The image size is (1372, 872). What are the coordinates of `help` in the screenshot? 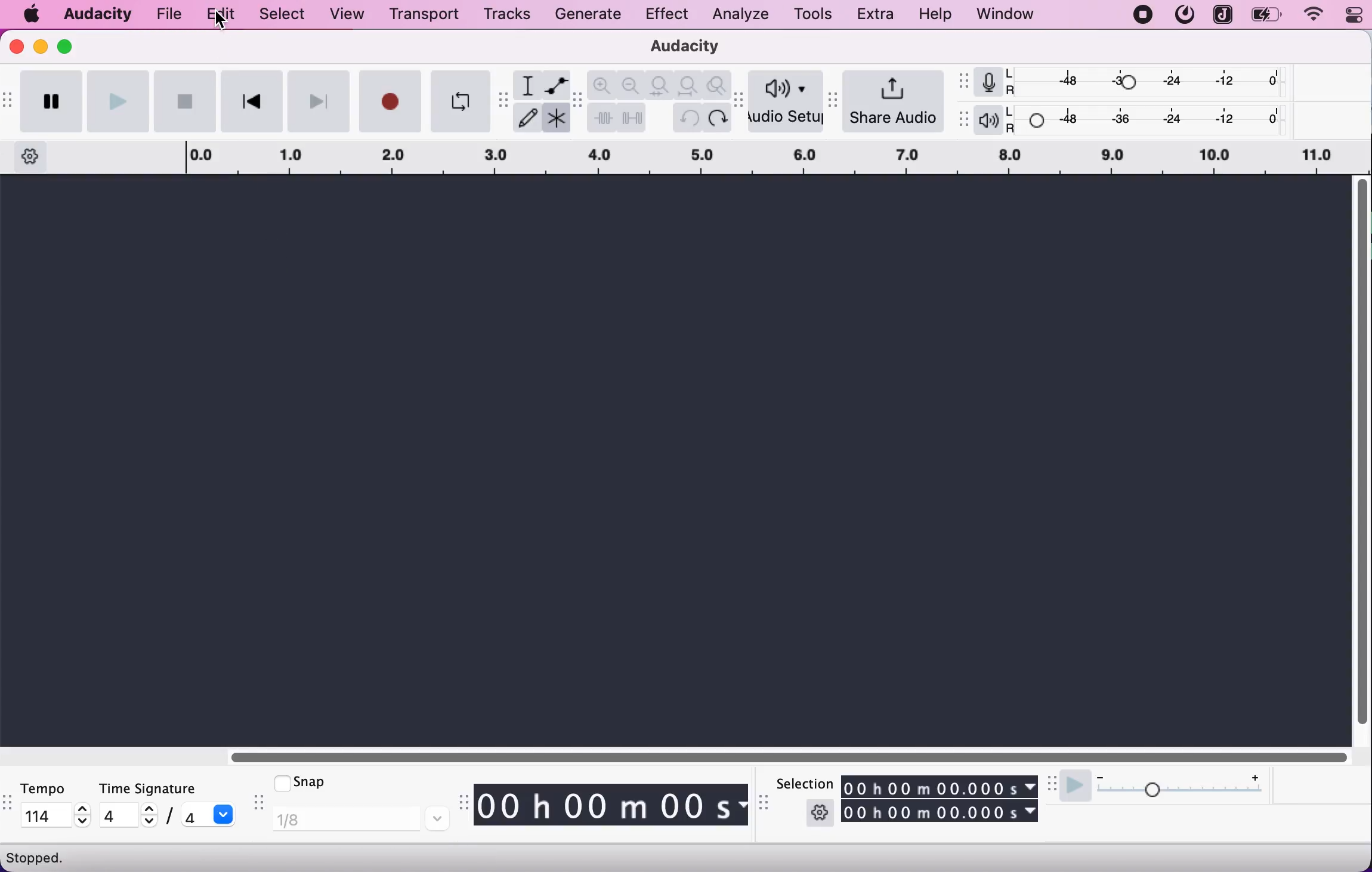 It's located at (937, 15).